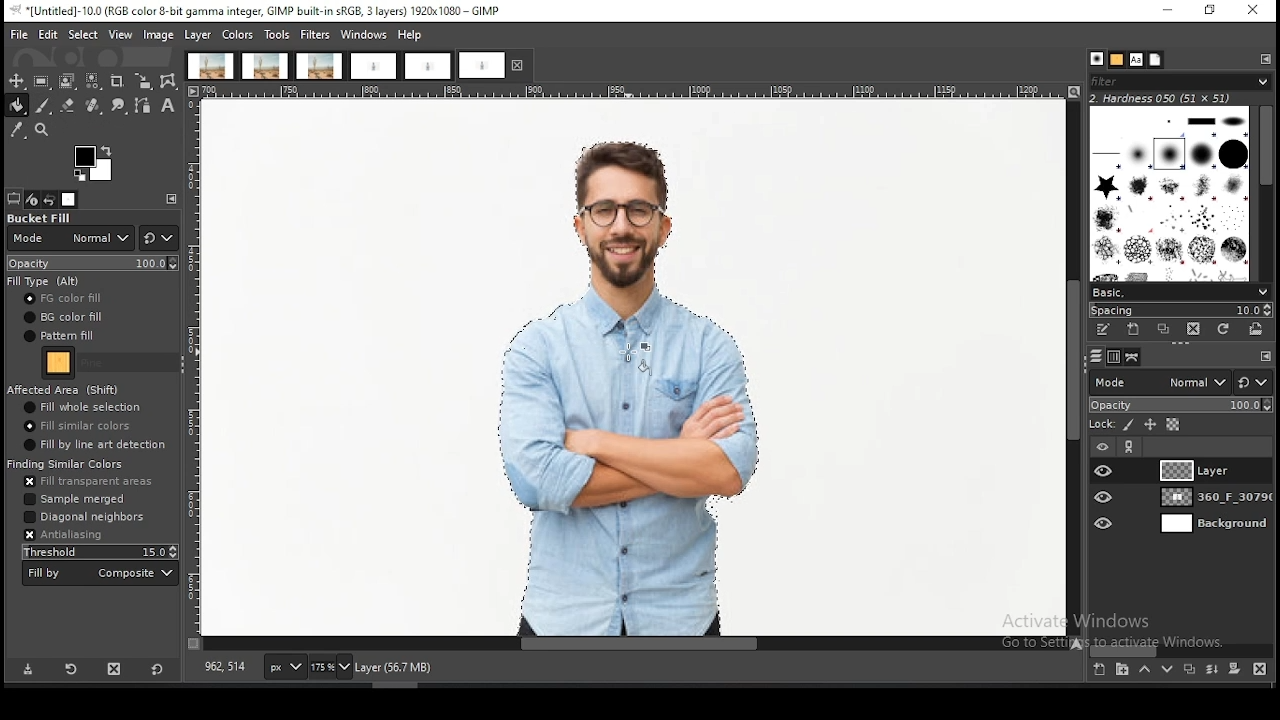  I want to click on fill type, so click(45, 281).